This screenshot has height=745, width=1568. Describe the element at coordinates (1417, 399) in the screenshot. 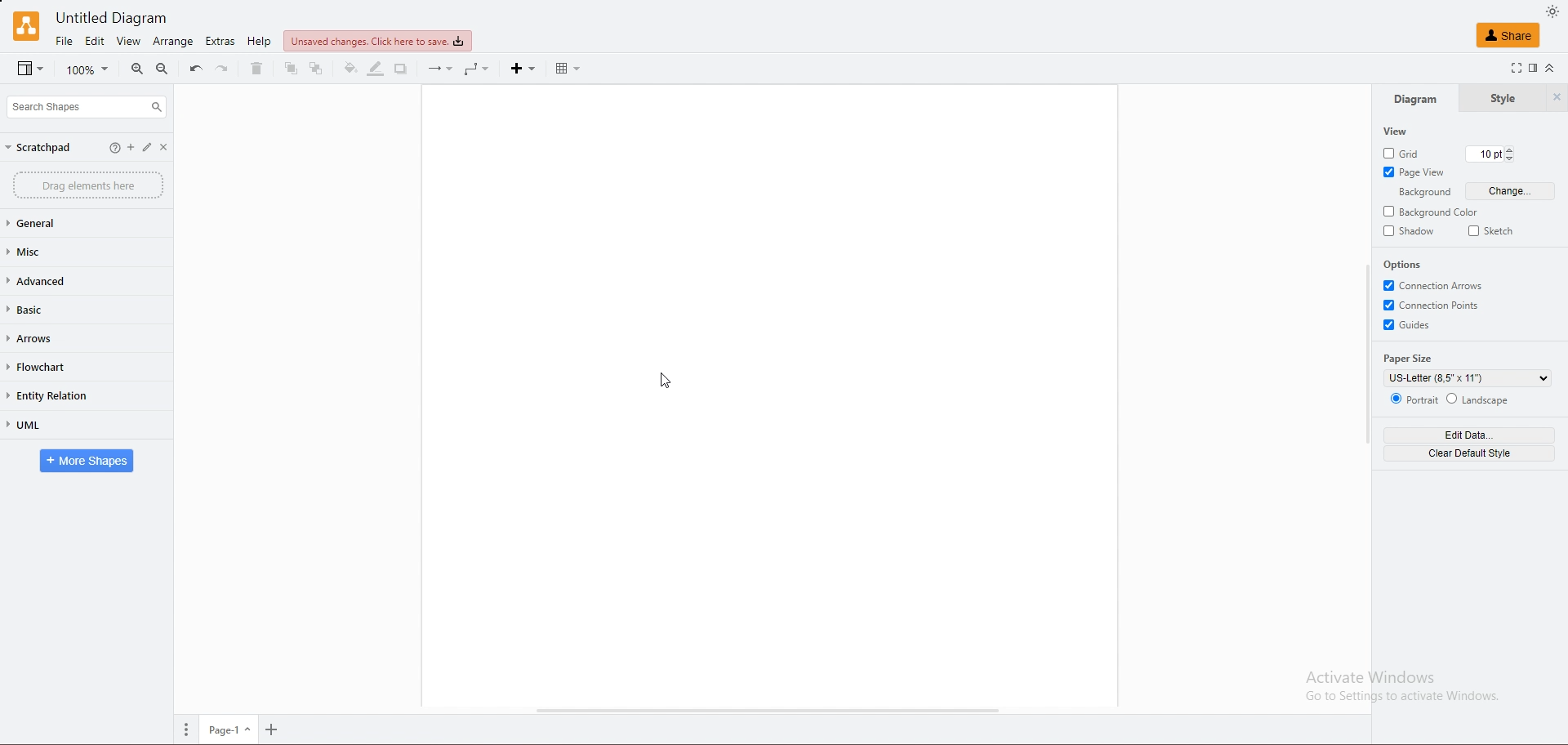

I see `portrait` at that location.